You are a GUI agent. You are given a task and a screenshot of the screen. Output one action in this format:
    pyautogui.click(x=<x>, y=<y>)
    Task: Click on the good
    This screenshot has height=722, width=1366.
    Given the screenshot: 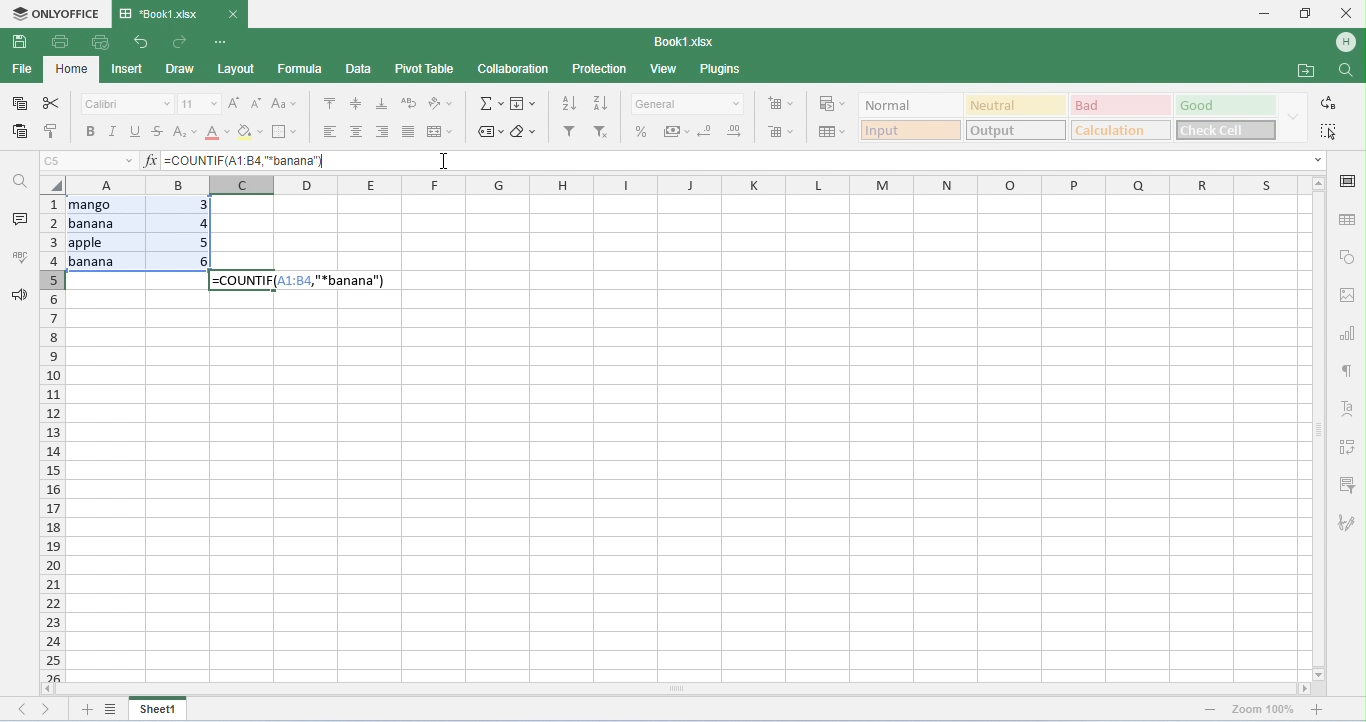 What is the action you would take?
    pyautogui.click(x=1223, y=106)
    